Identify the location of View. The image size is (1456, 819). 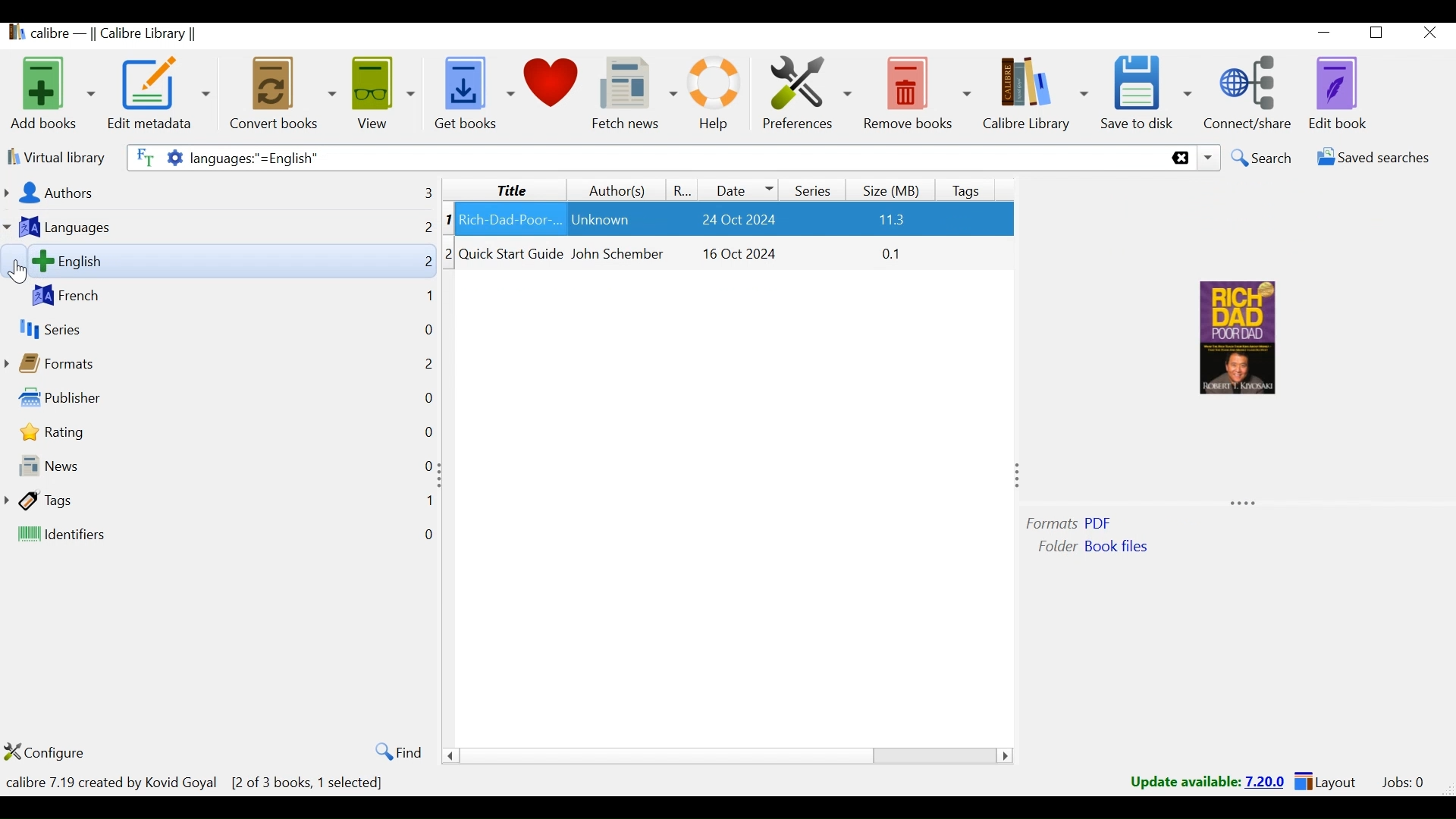
(384, 93).